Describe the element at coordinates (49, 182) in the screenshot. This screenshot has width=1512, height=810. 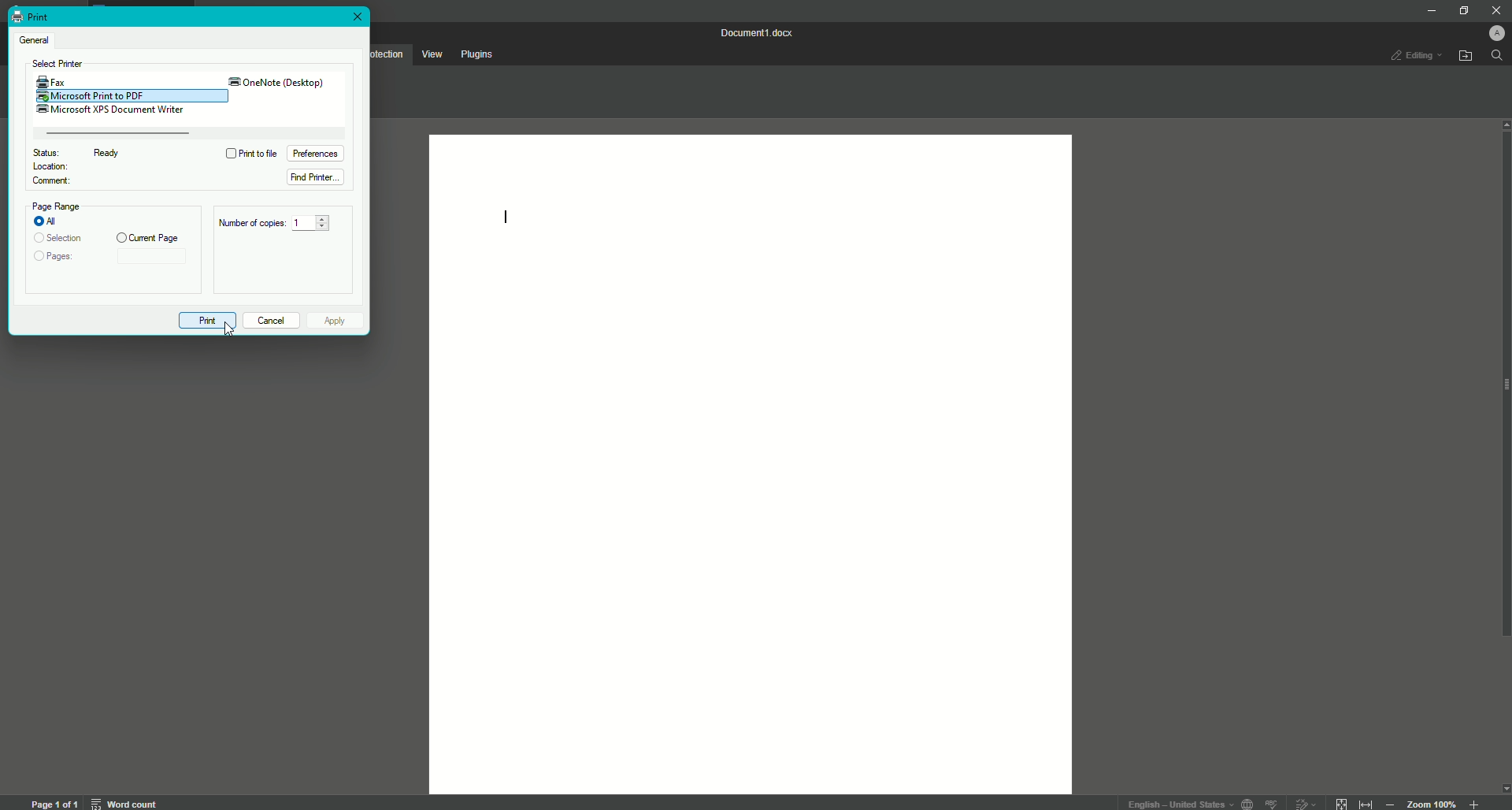
I see `Comment` at that location.